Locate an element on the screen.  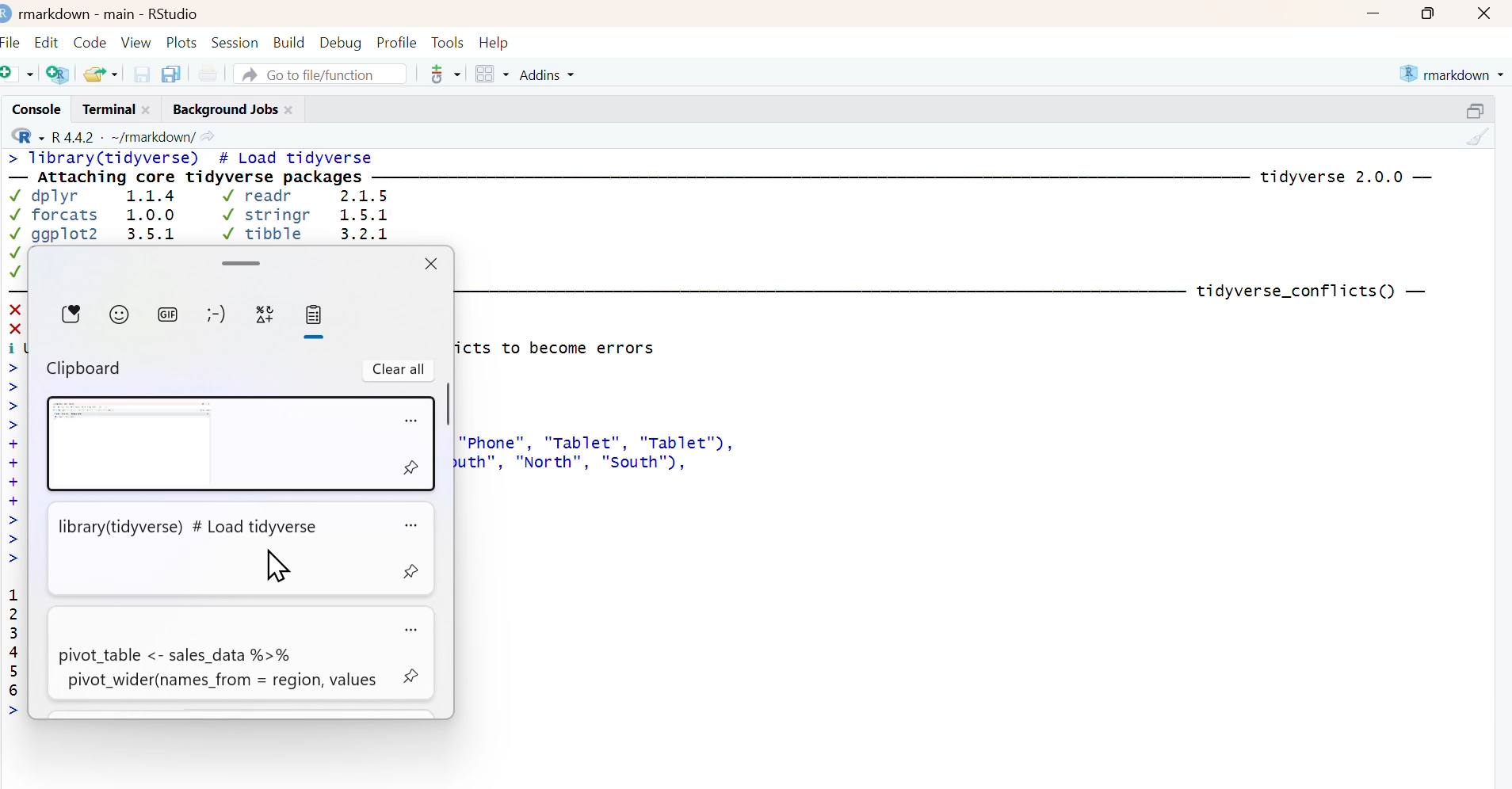
maximize is located at coordinates (1434, 13).